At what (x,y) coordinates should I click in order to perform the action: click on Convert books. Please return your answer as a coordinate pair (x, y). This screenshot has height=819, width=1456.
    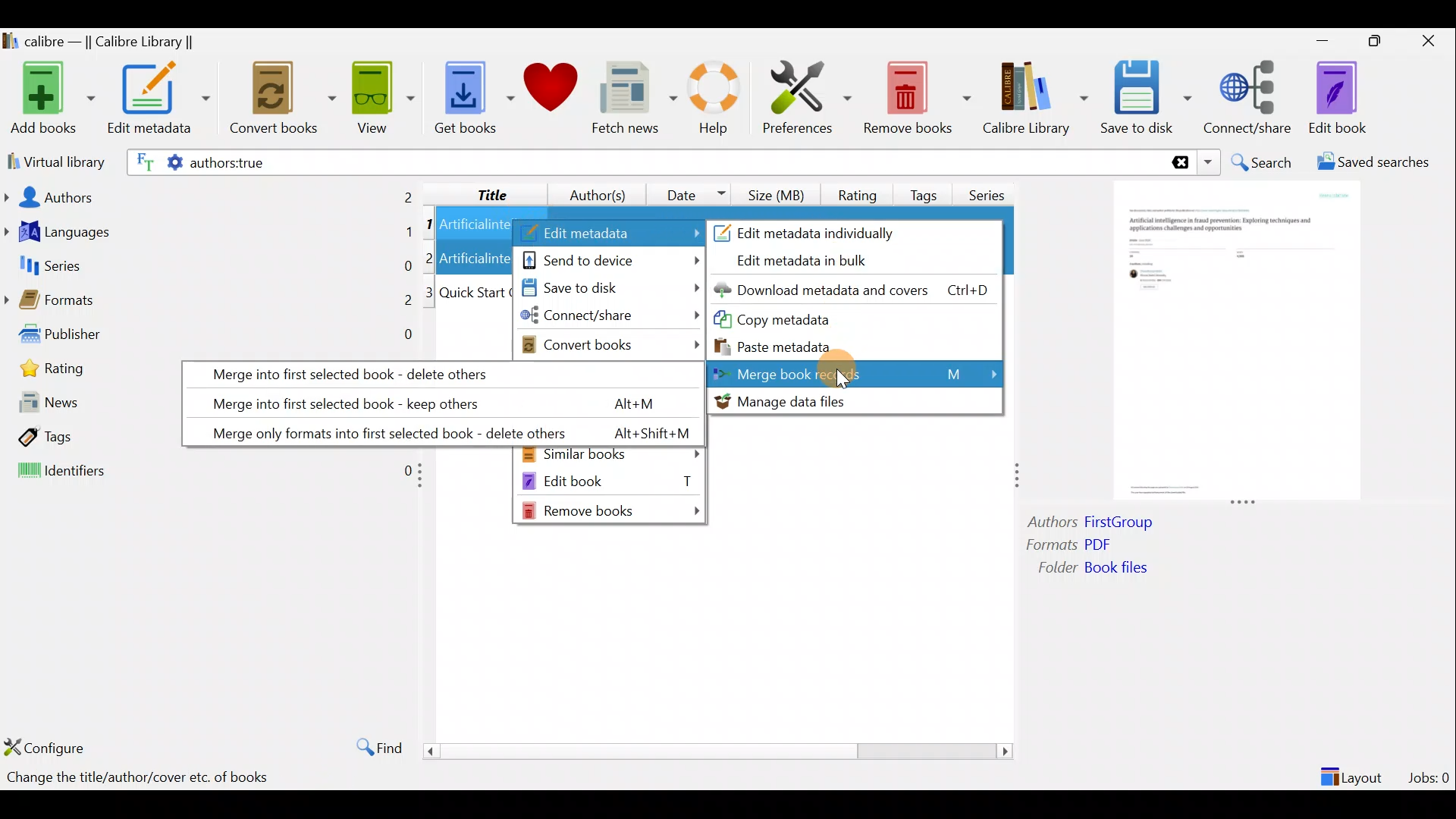
    Looking at the image, I should click on (612, 344).